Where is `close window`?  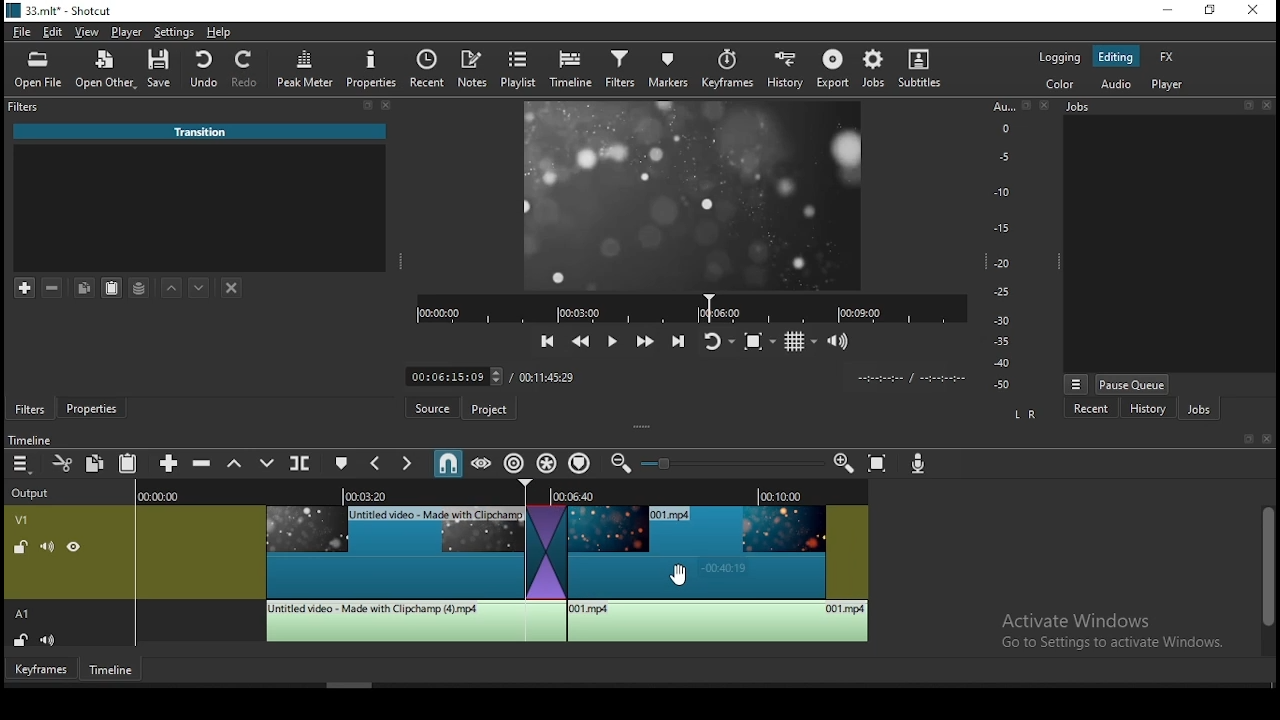
close window is located at coordinates (1255, 12).